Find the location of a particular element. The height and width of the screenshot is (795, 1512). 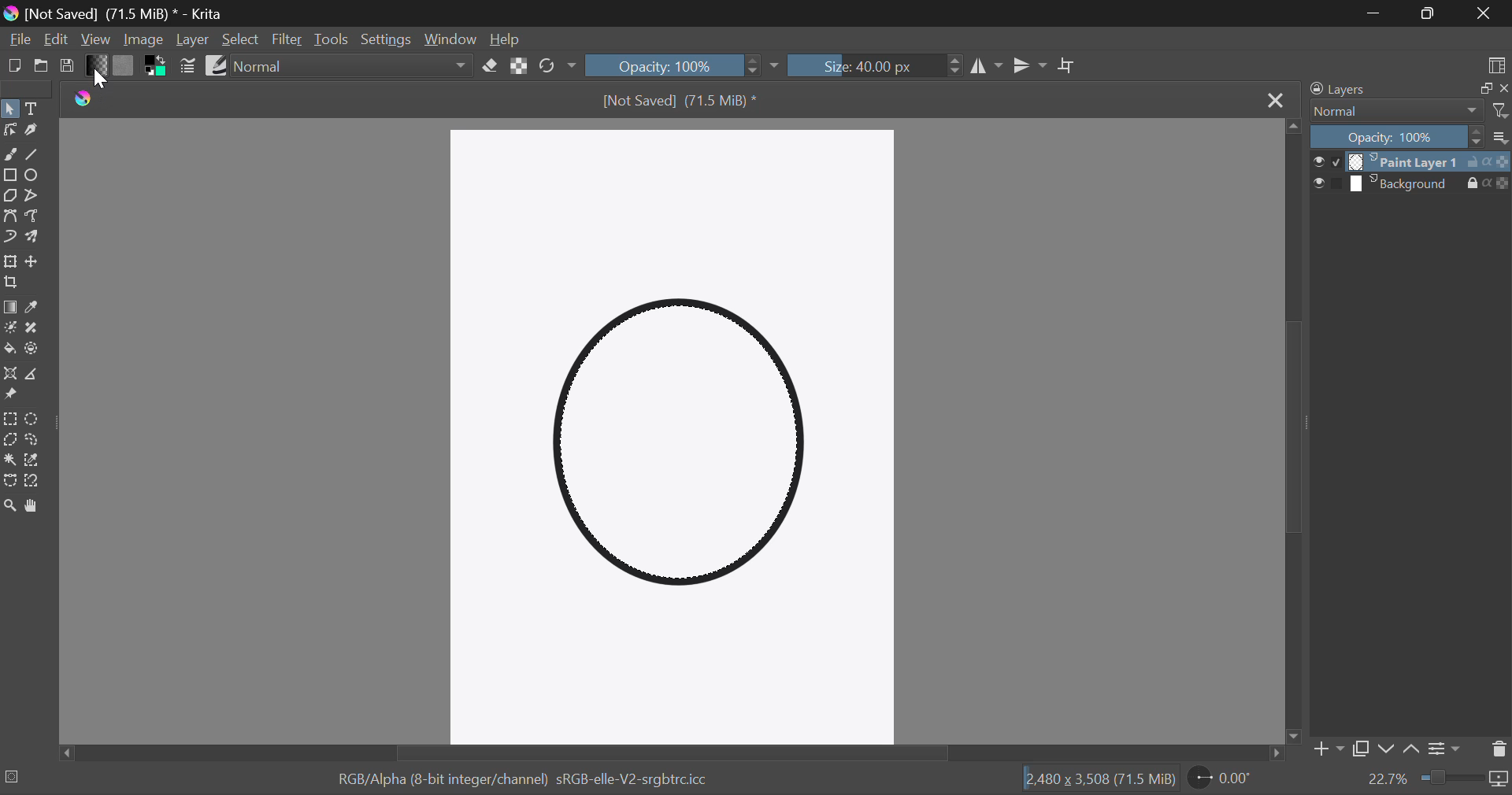

[Not Saved] (71.5 MiB) * - Krita is located at coordinates (124, 15).